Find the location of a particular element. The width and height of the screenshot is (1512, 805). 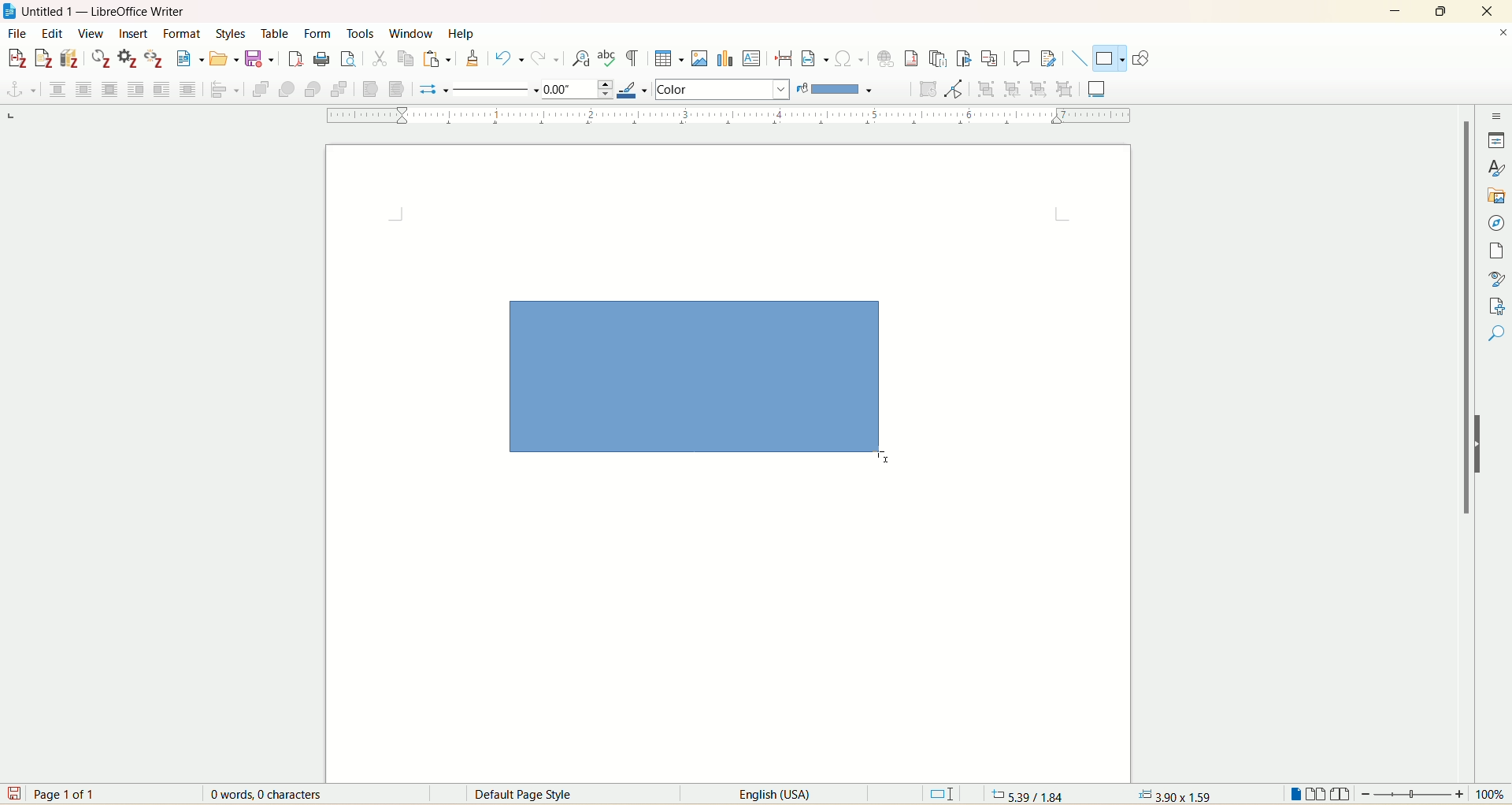

clone formatting is located at coordinates (472, 58).